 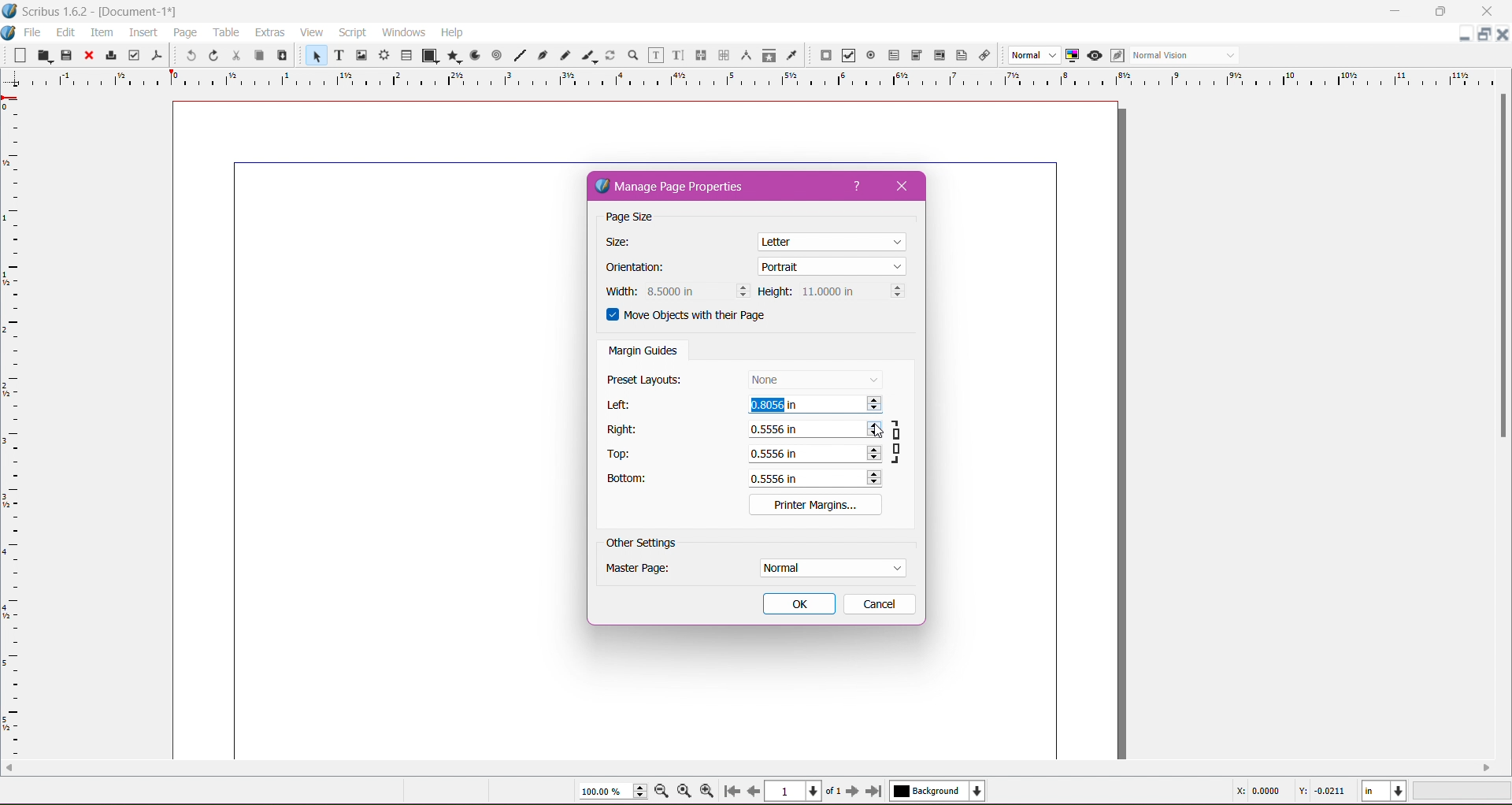 What do you see at coordinates (621, 405) in the screenshot?
I see `Left` at bounding box center [621, 405].